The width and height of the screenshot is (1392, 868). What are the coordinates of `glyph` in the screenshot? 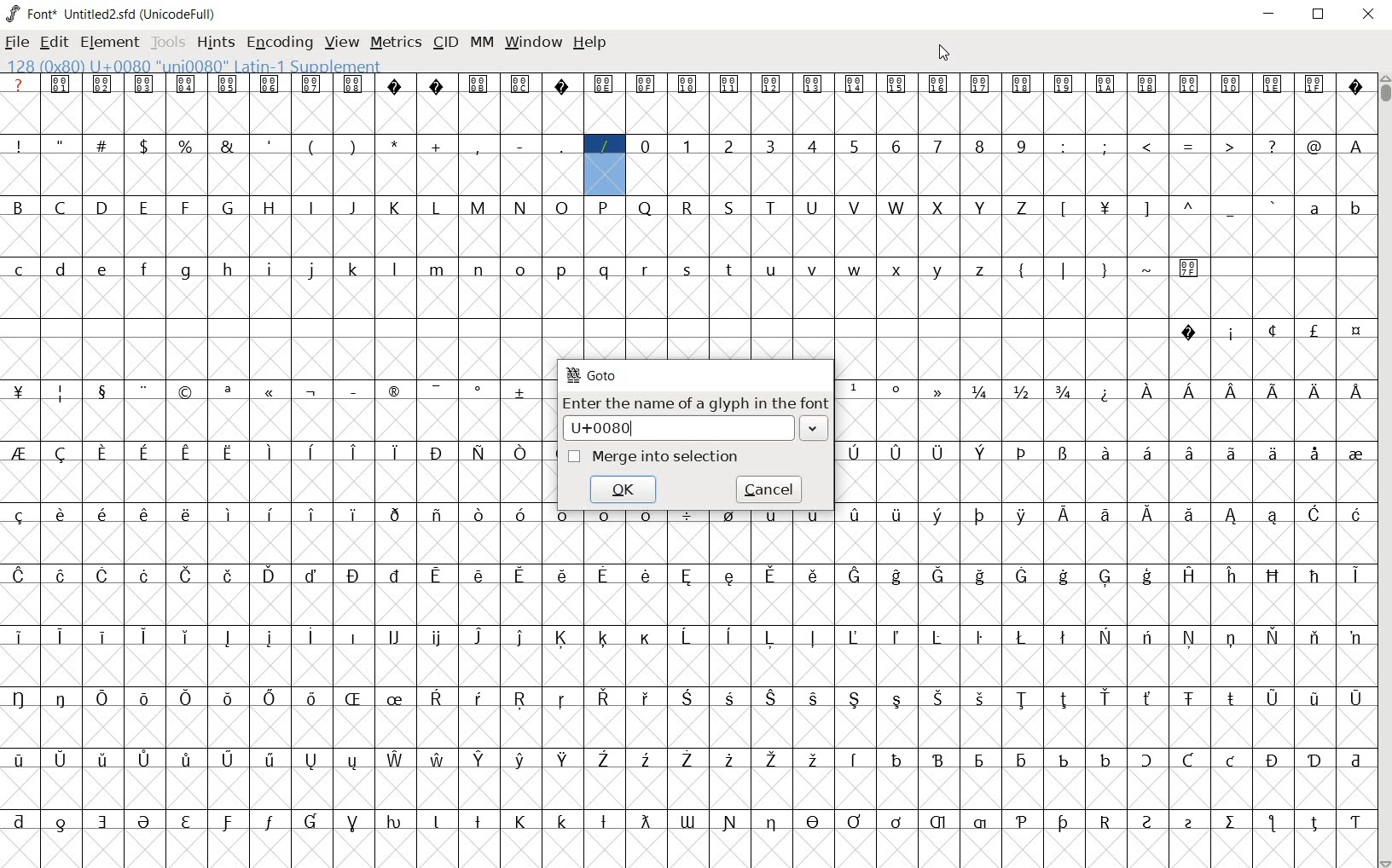 It's located at (1271, 823).